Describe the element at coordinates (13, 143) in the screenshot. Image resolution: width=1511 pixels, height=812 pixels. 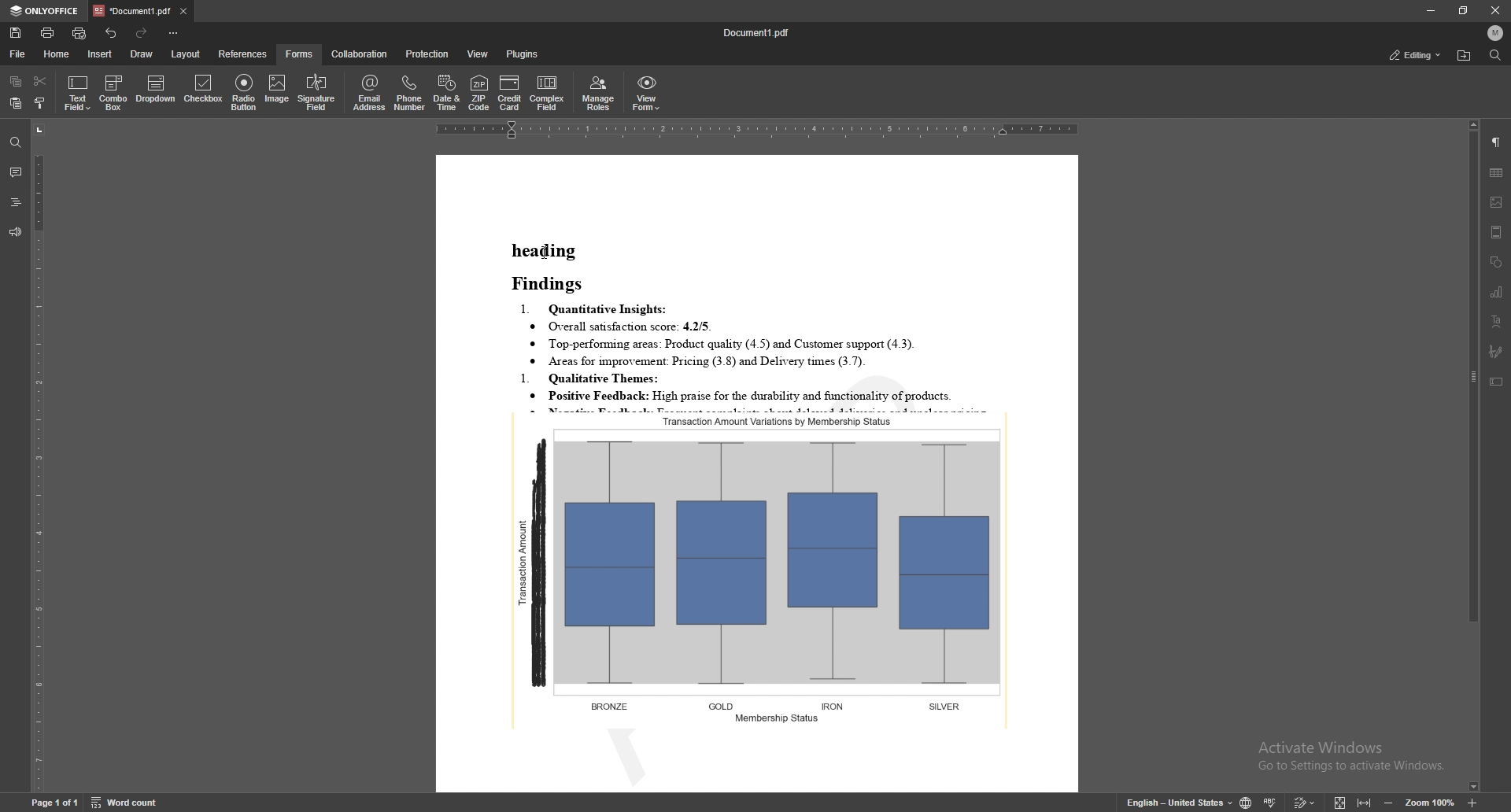
I see `find` at that location.